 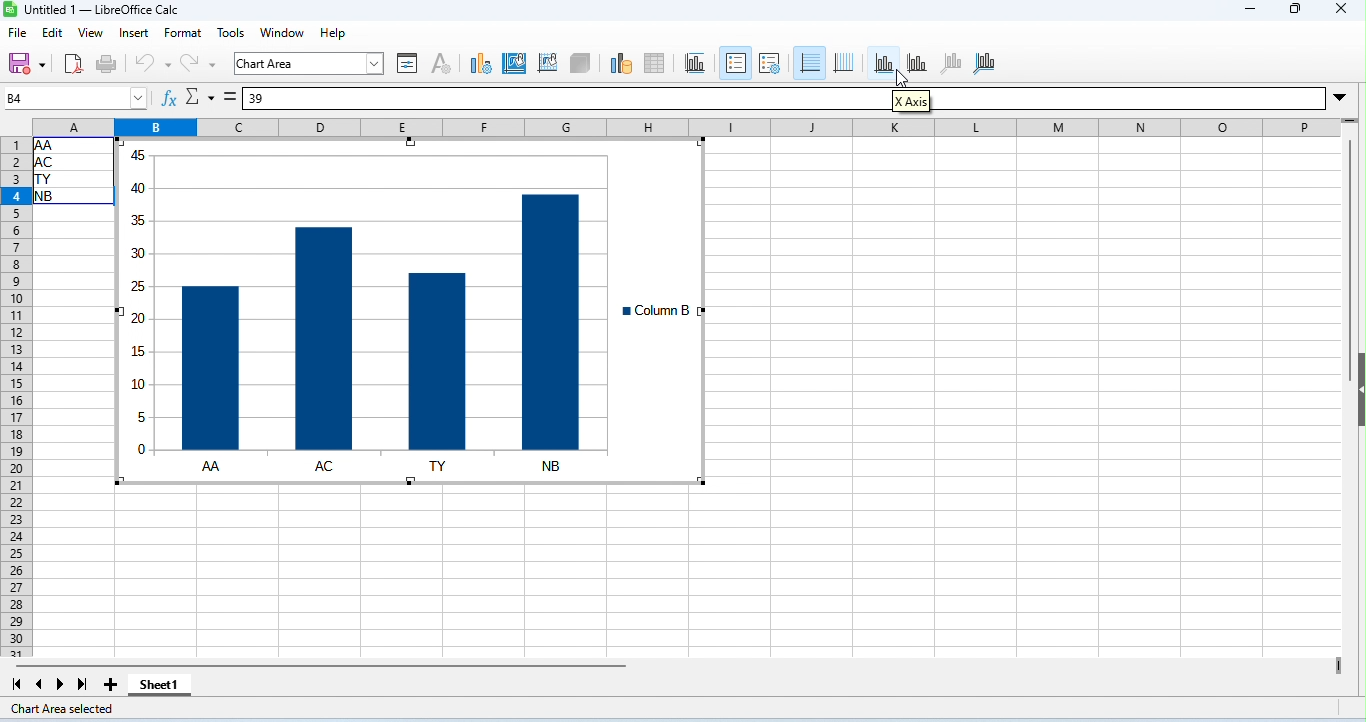 What do you see at coordinates (358, 295) in the screenshot?
I see `column chart appeared` at bounding box center [358, 295].